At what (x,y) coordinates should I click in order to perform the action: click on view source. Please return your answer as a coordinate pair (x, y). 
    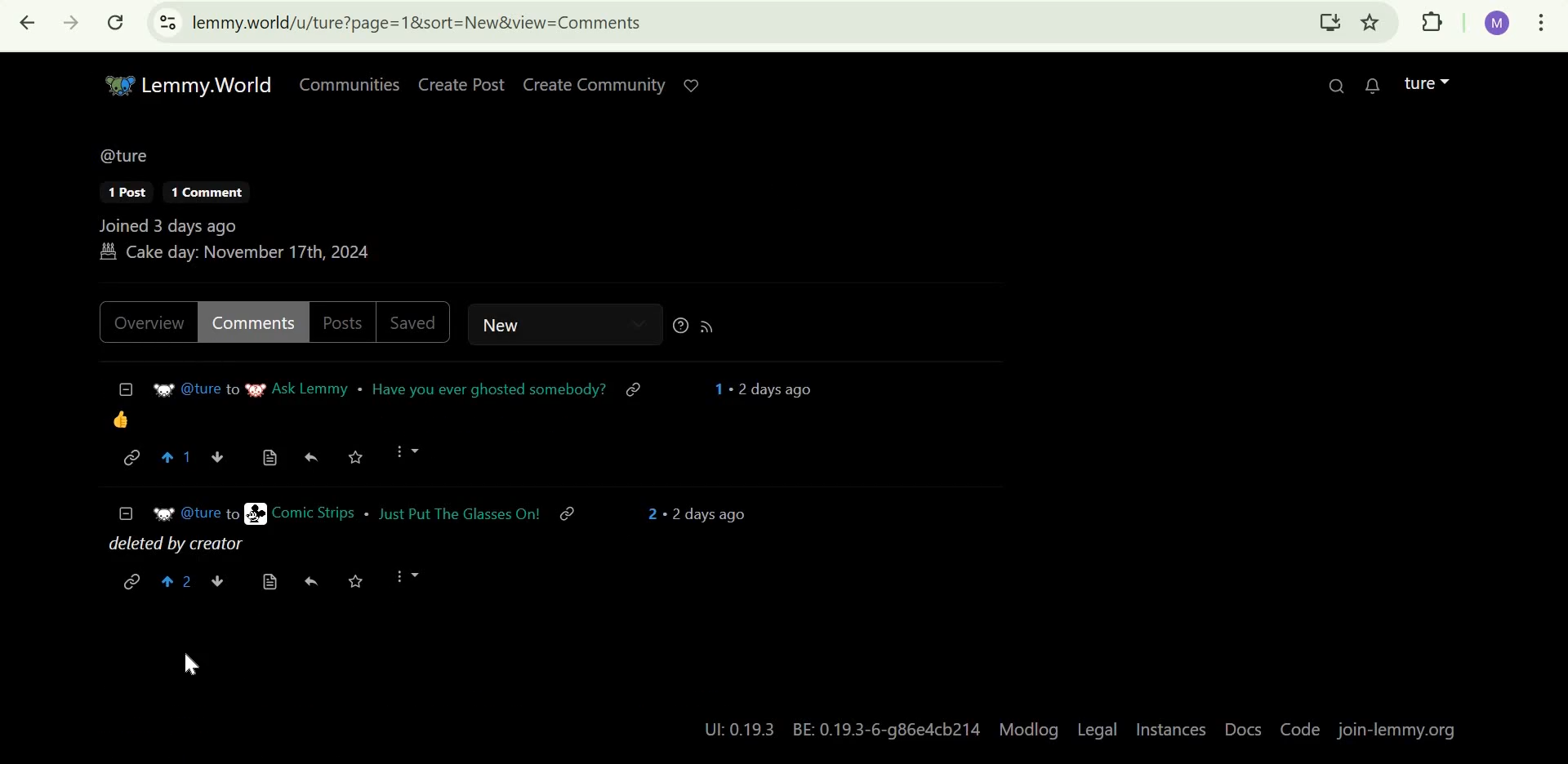
    Looking at the image, I should click on (274, 454).